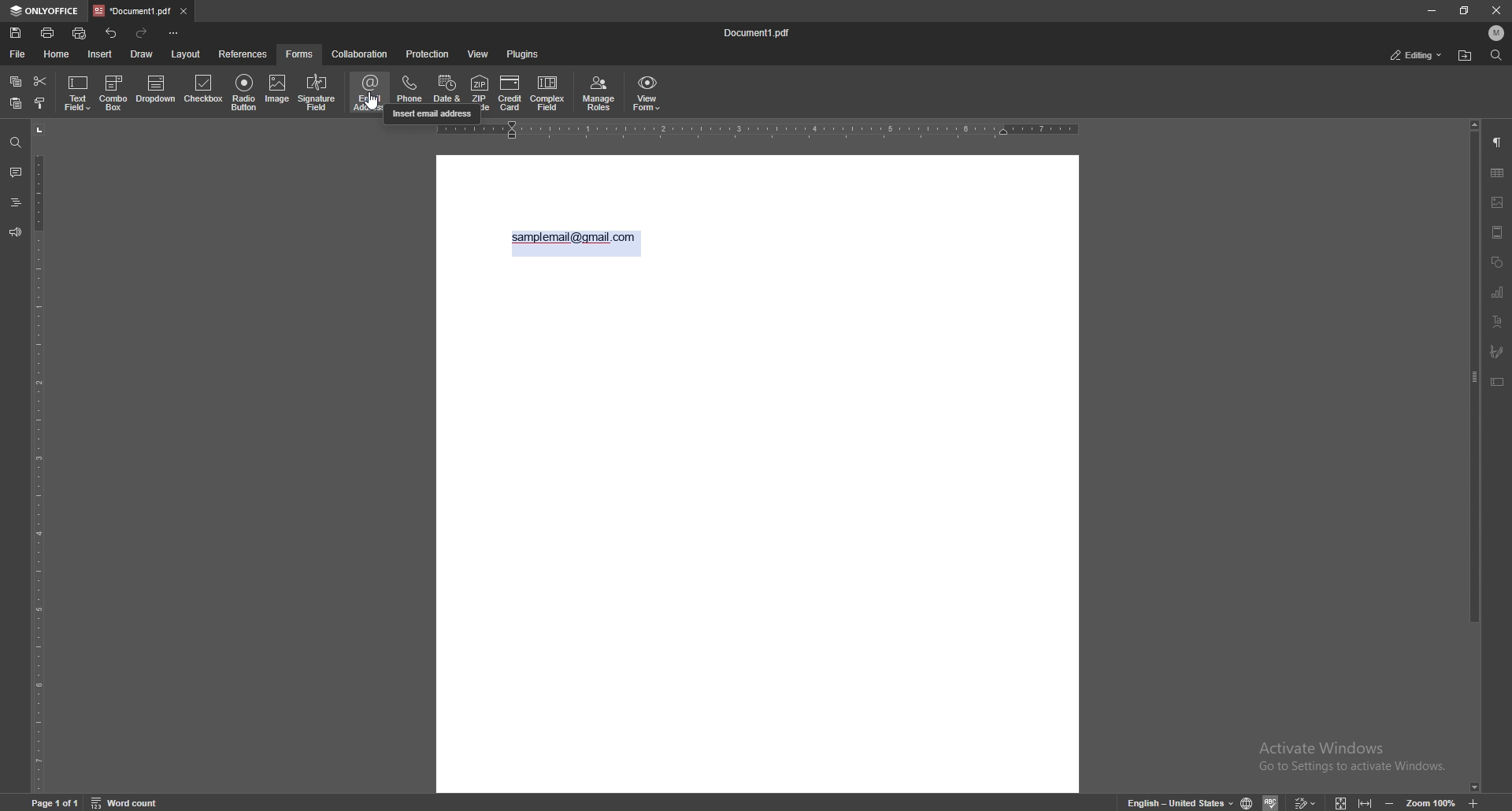  What do you see at coordinates (409, 90) in the screenshot?
I see `phone number` at bounding box center [409, 90].